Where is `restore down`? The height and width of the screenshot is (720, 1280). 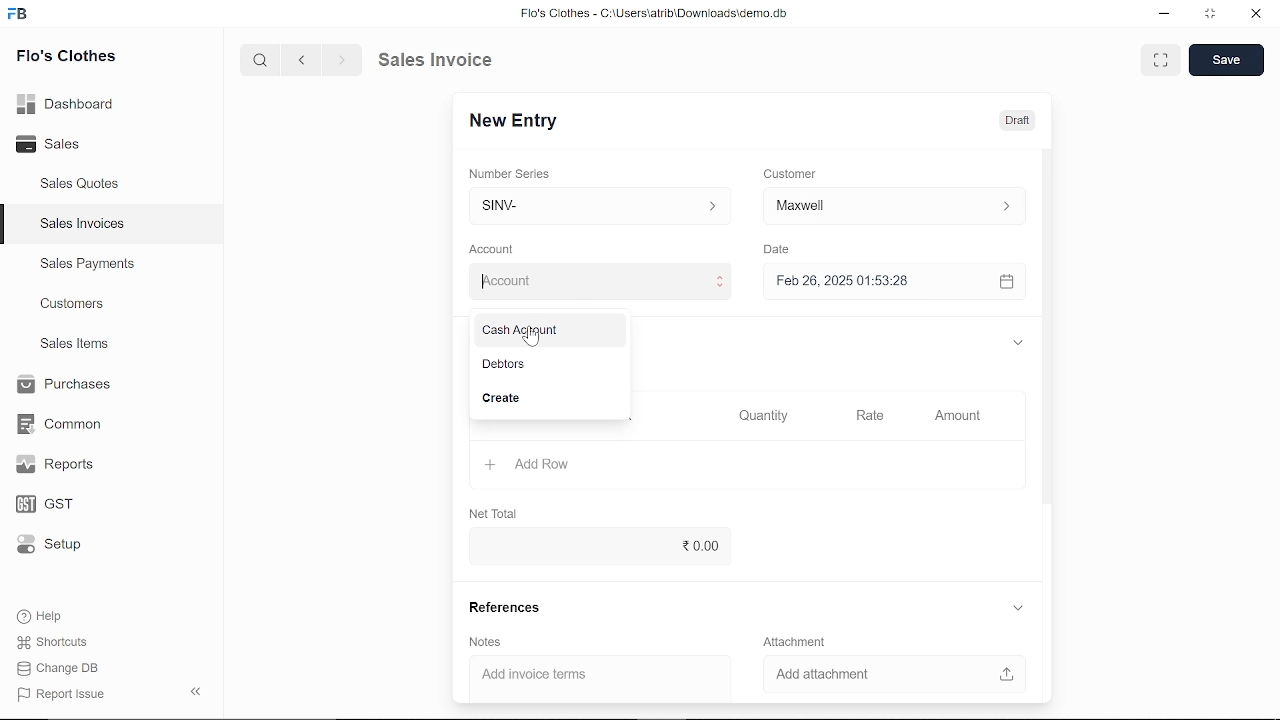 restore down is located at coordinates (1212, 15).